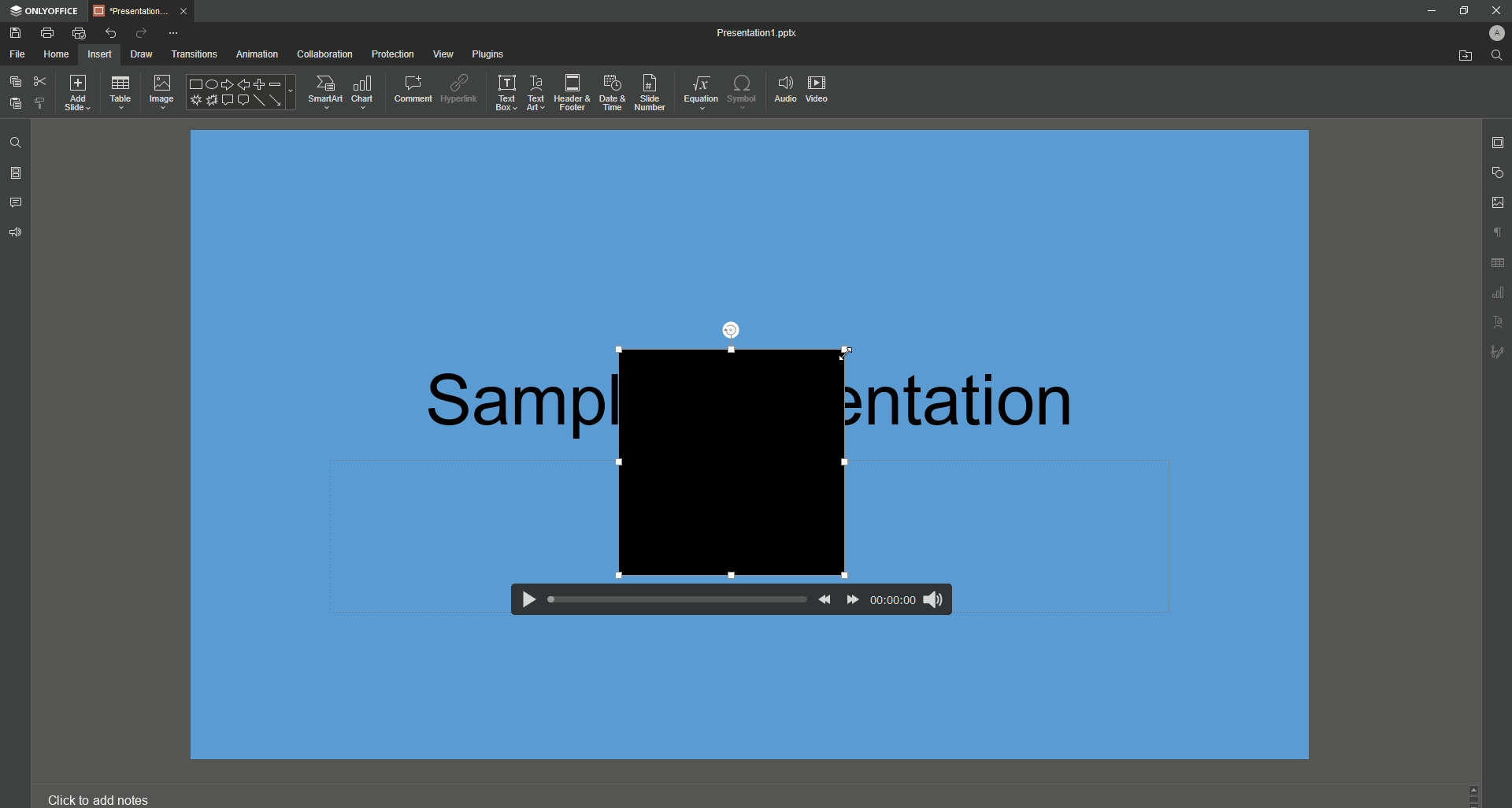 The image size is (1512, 808). I want to click on Click to add notes, so click(106, 799).